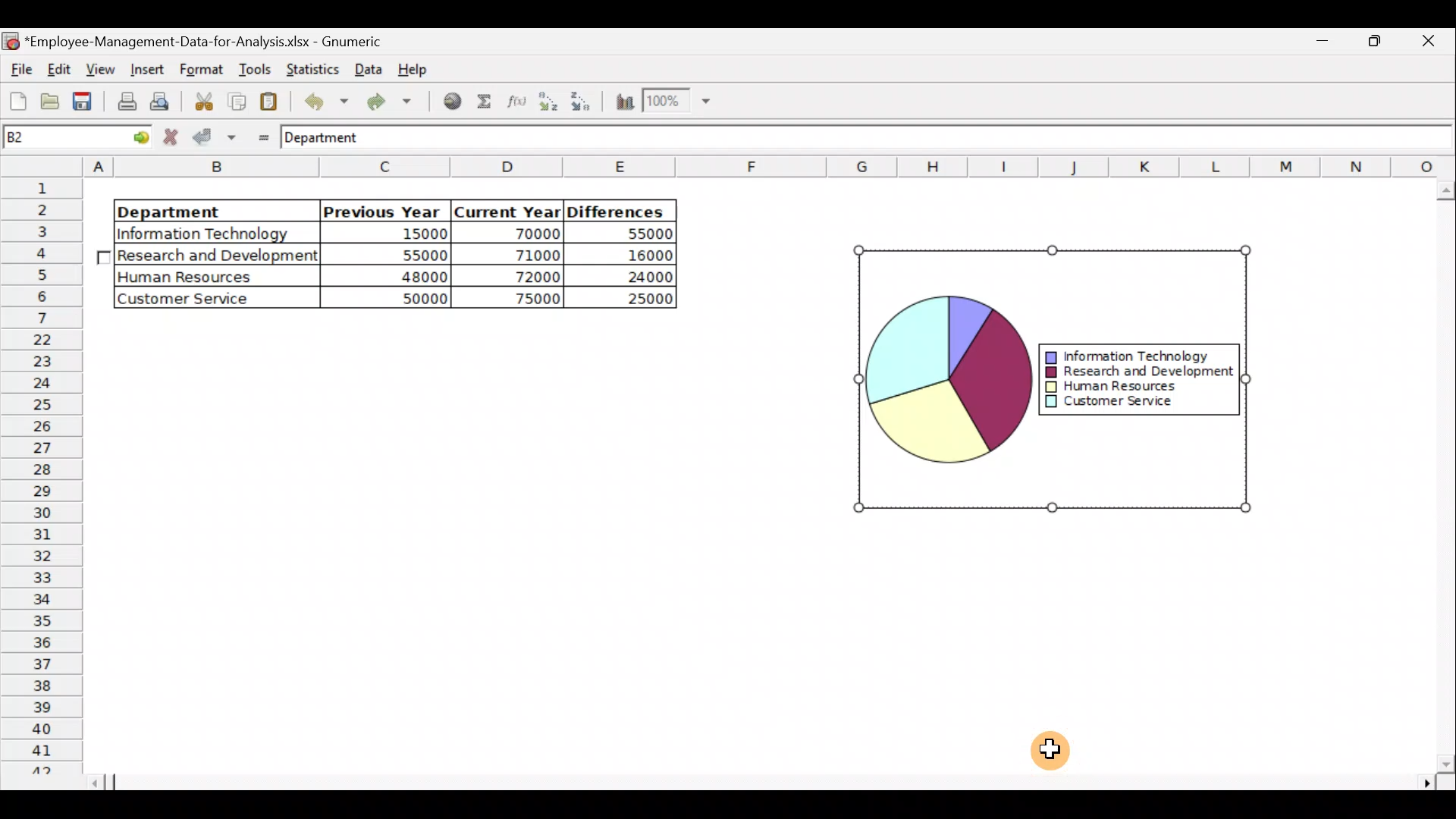 This screenshot has height=819, width=1456. I want to click on go to, so click(132, 139).